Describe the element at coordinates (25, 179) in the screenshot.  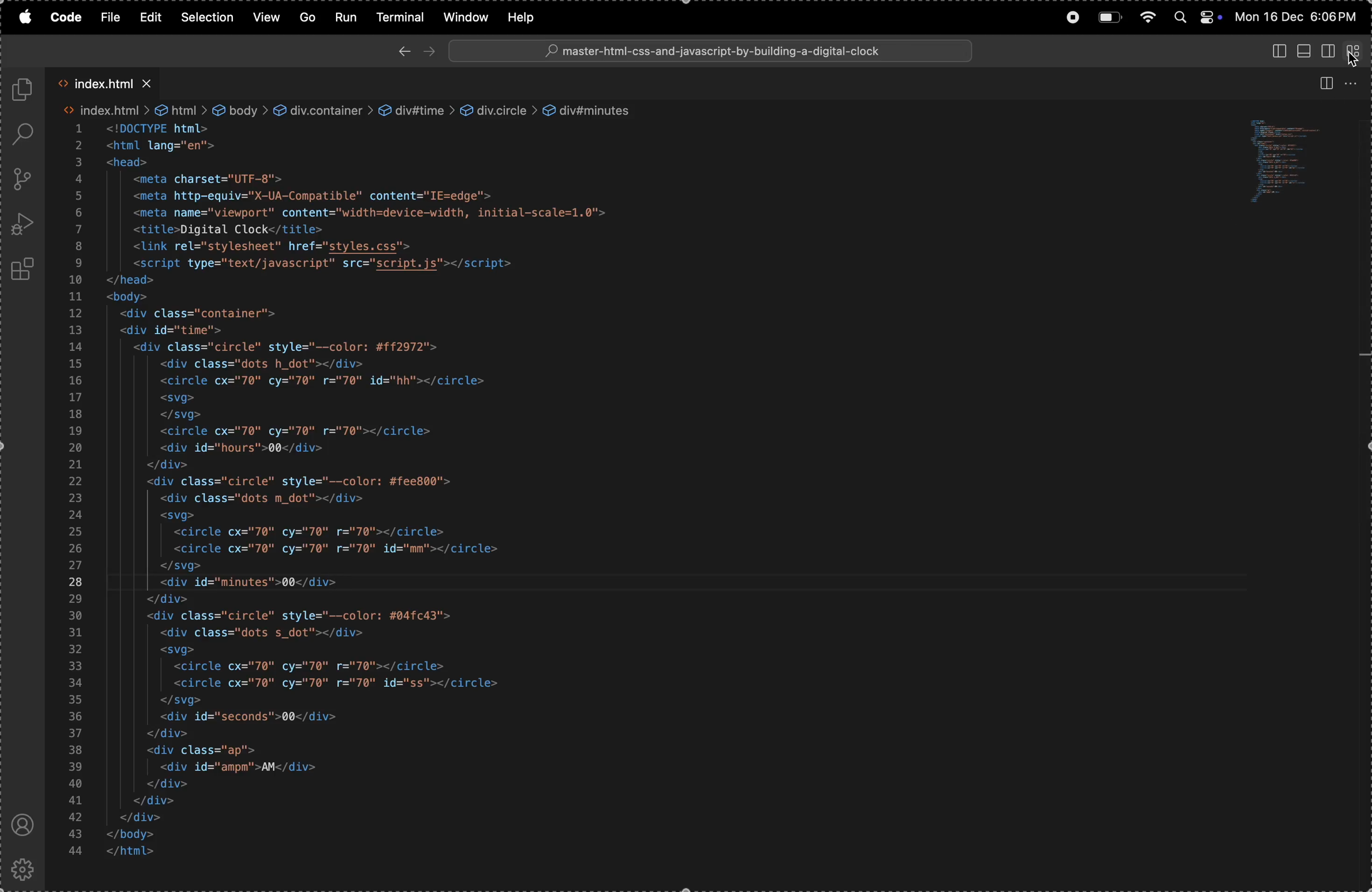
I see `source control` at that location.